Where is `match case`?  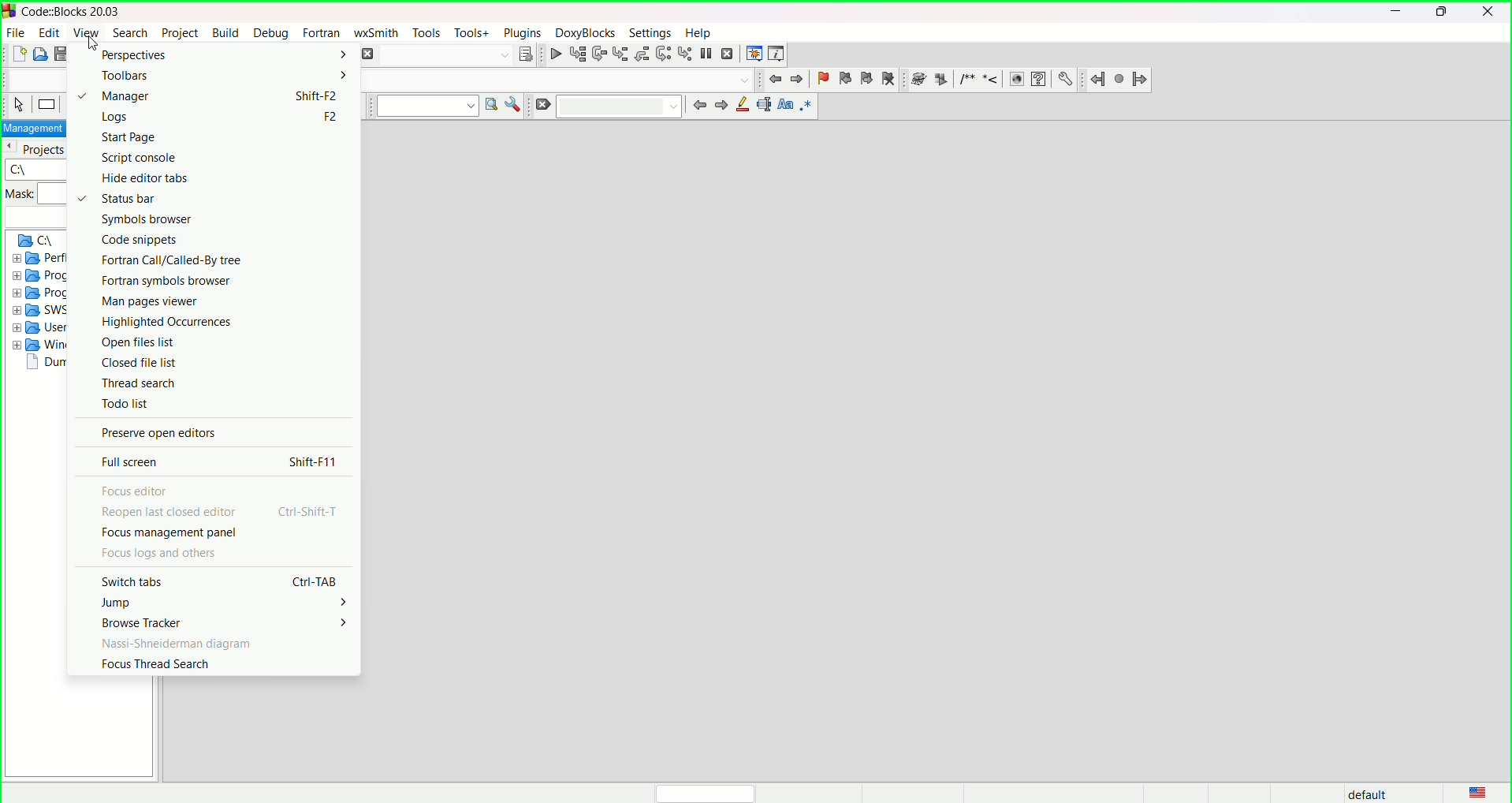
match case is located at coordinates (787, 104).